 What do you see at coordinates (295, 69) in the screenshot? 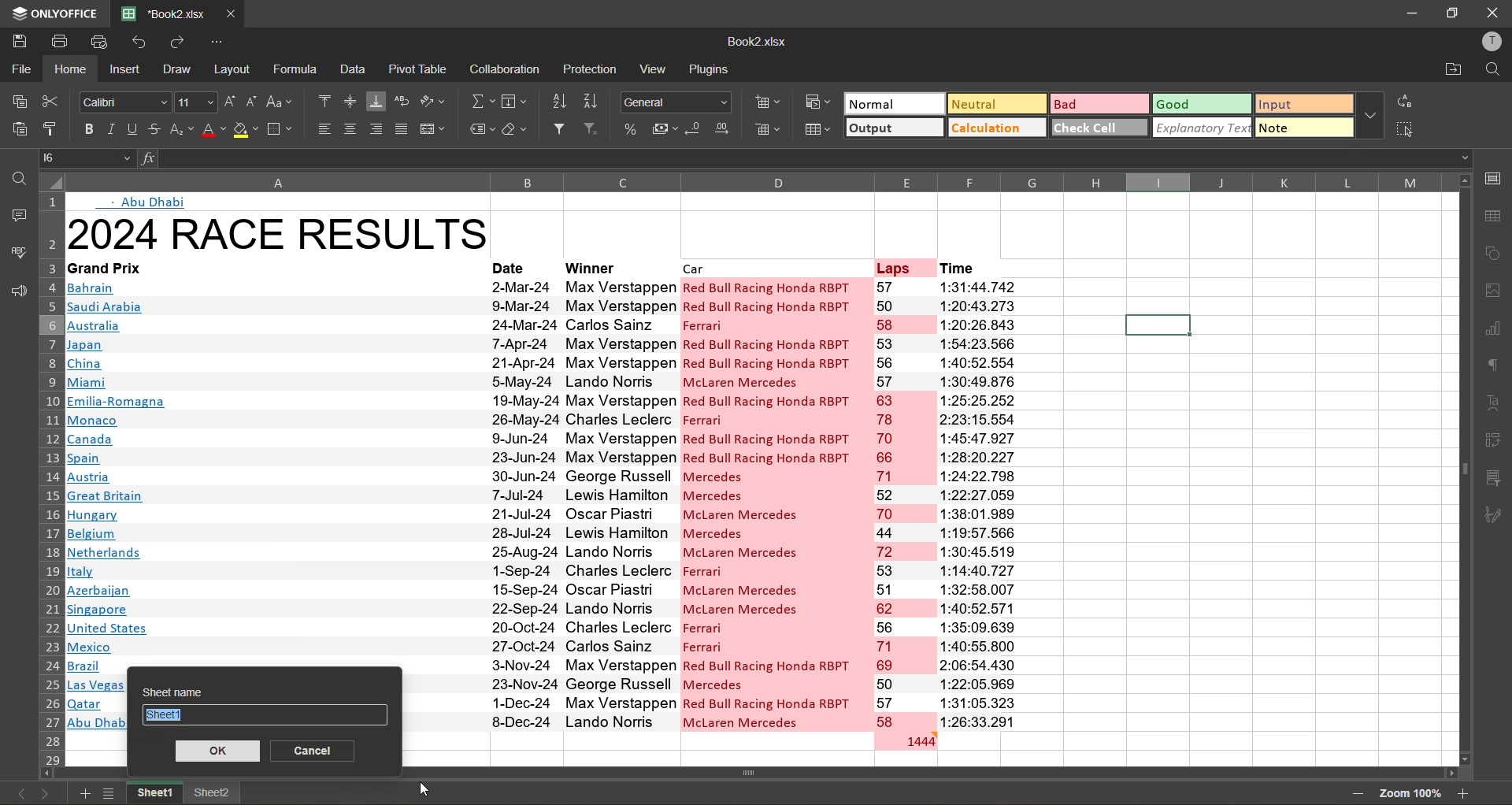
I see `formula` at bounding box center [295, 69].